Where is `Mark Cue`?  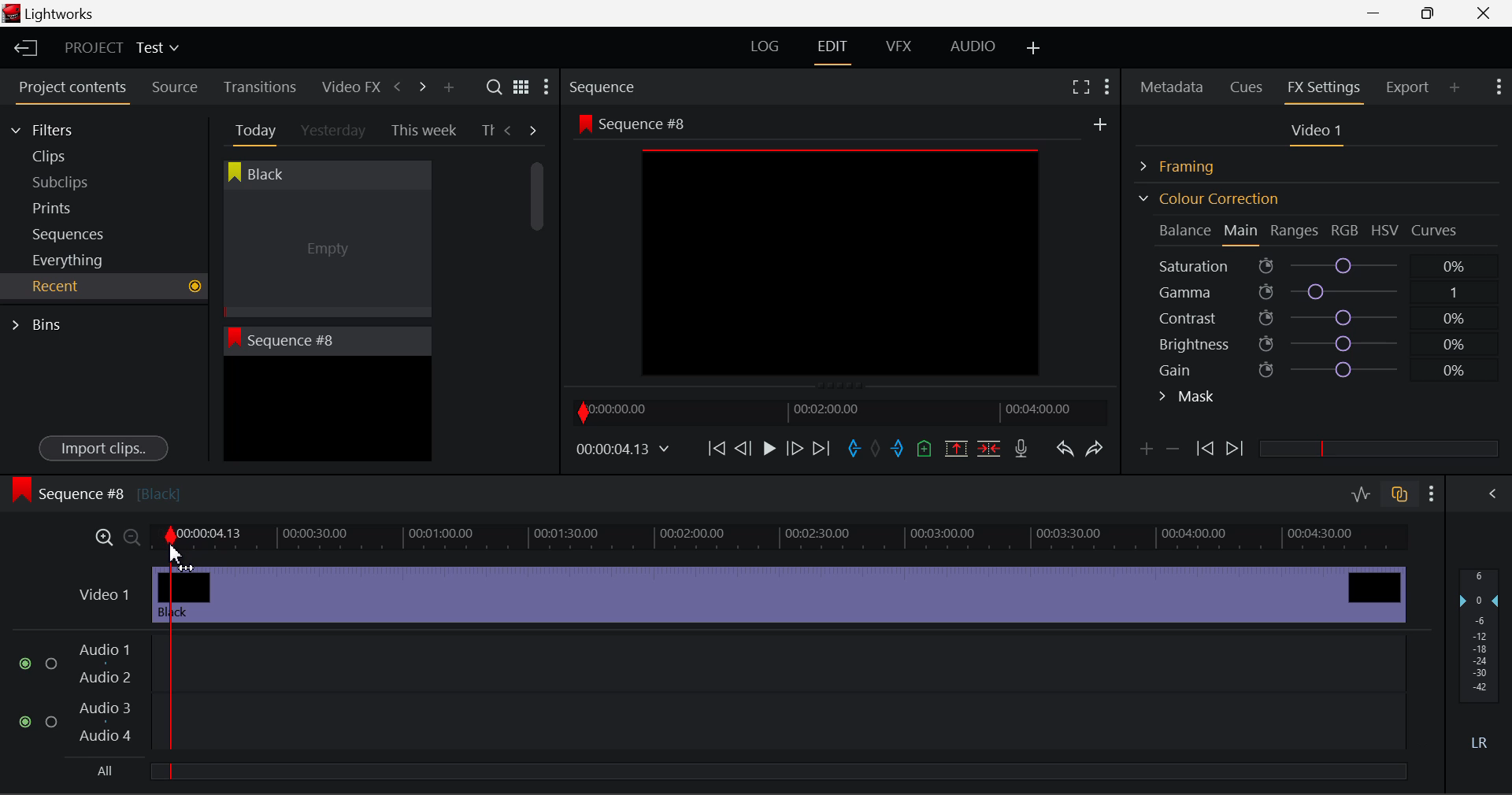 Mark Cue is located at coordinates (923, 449).